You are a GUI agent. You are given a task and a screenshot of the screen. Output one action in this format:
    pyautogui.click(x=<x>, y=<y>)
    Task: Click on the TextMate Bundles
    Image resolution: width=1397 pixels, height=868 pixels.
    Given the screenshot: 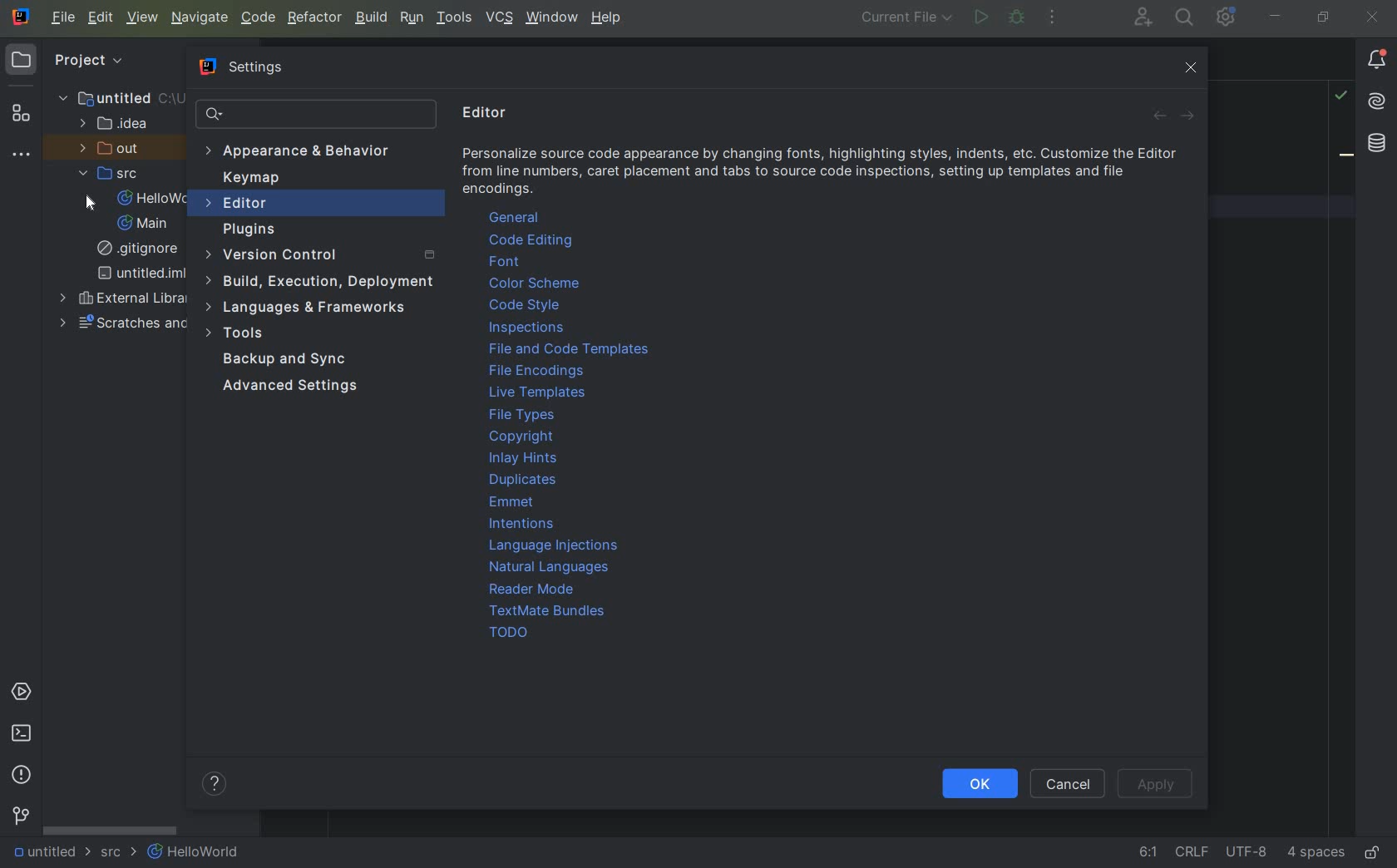 What is the action you would take?
    pyautogui.click(x=546, y=611)
    